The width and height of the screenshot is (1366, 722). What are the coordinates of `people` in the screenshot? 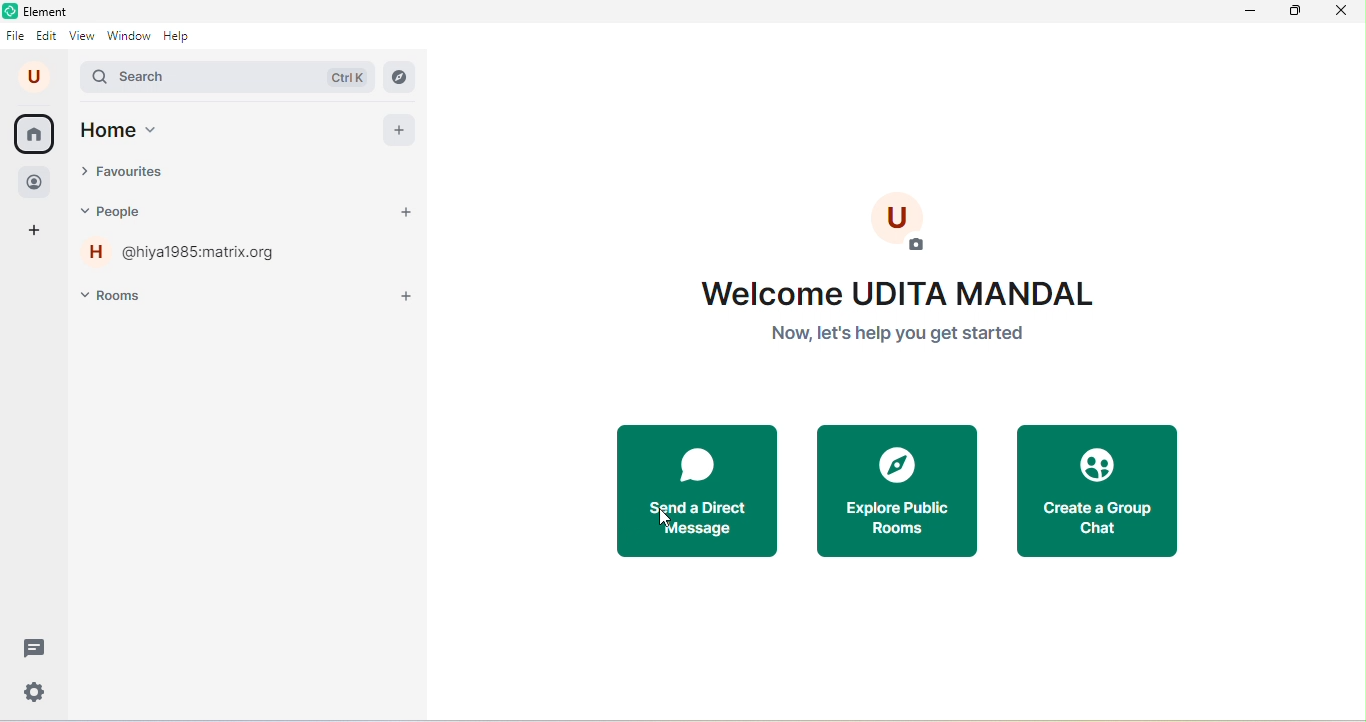 It's located at (38, 180).